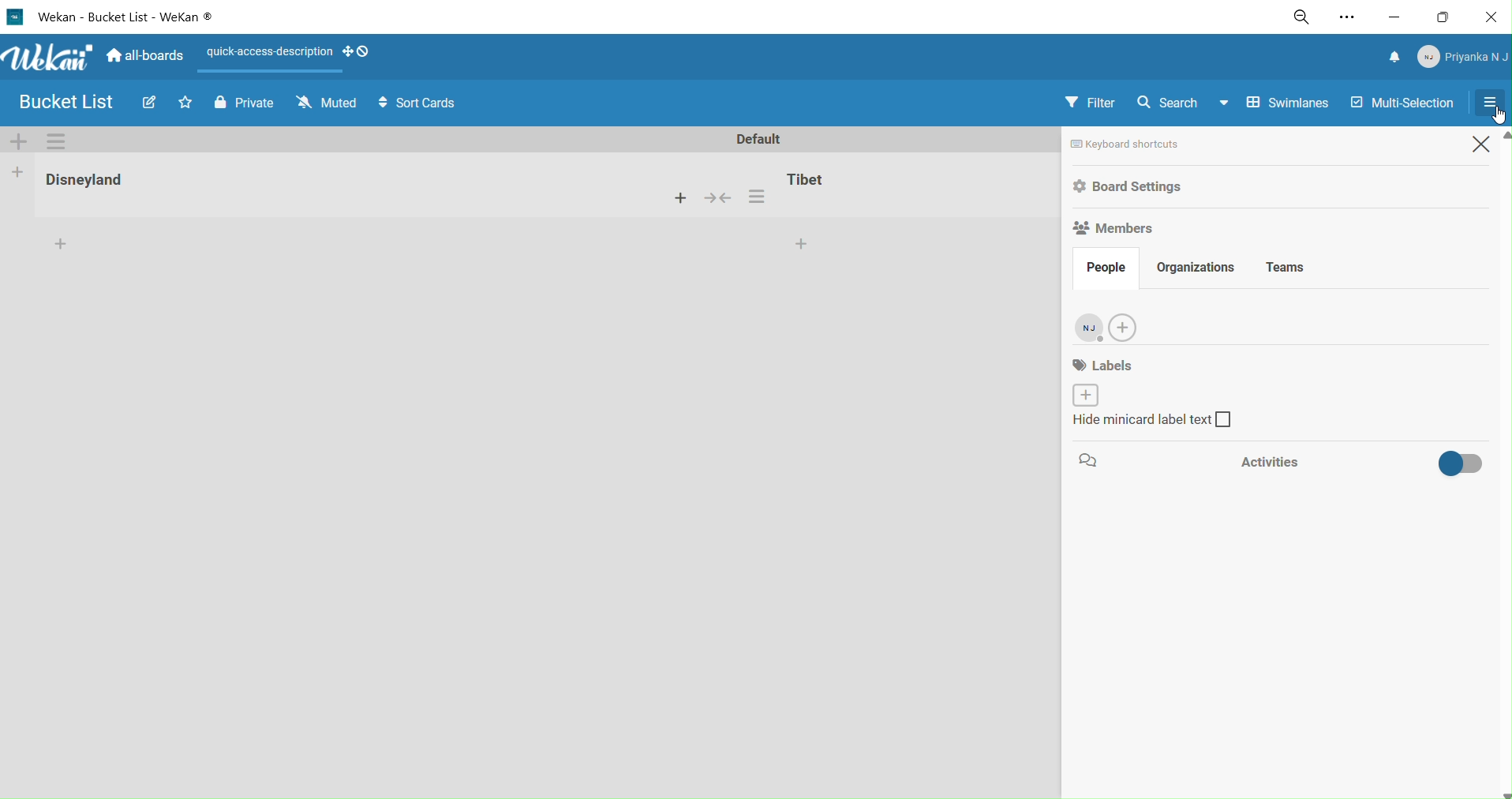 Image resolution: width=1512 pixels, height=799 pixels. I want to click on show desktop draghandles, so click(357, 51).